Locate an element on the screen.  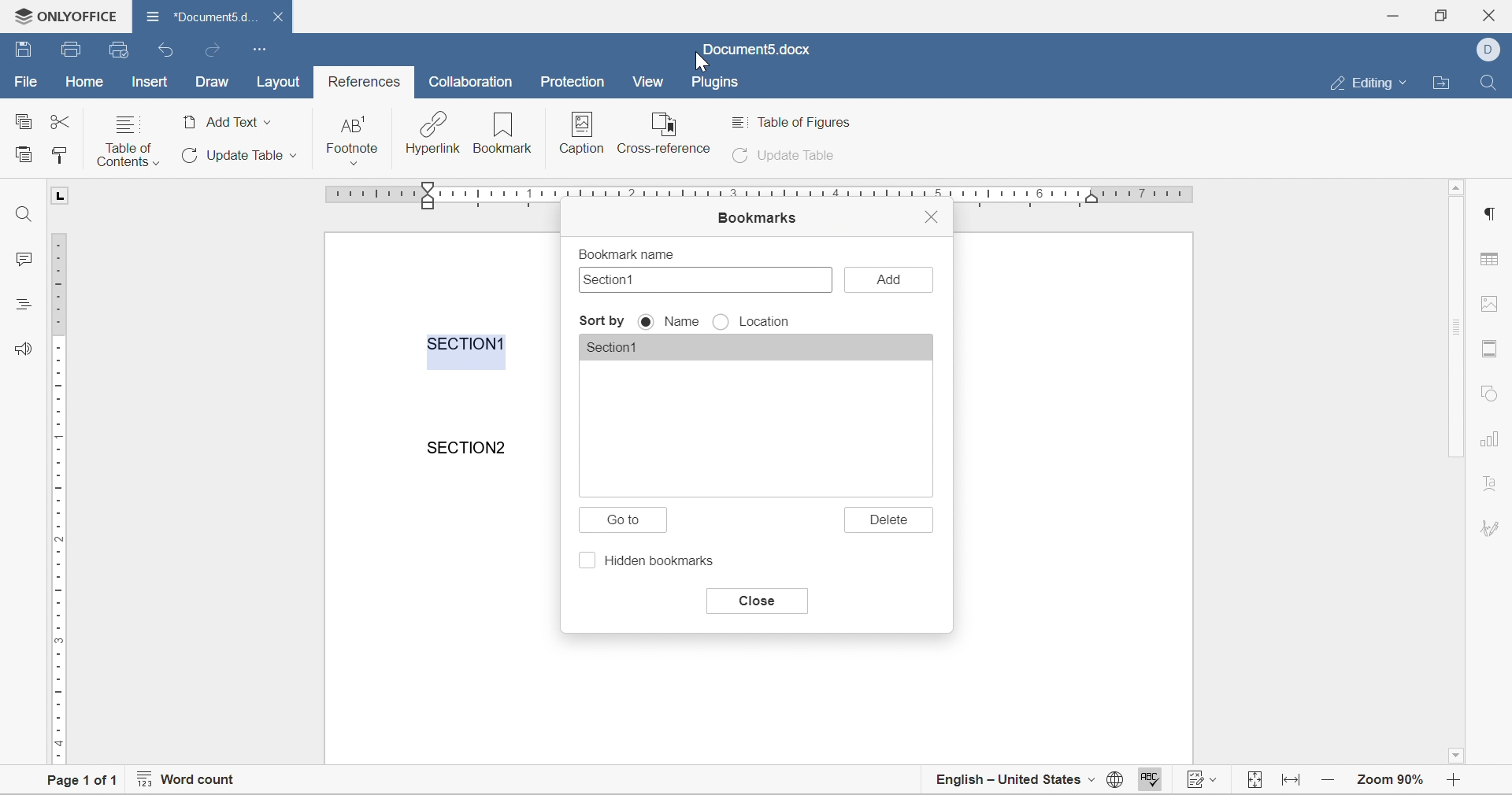
copy style is located at coordinates (59, 154).